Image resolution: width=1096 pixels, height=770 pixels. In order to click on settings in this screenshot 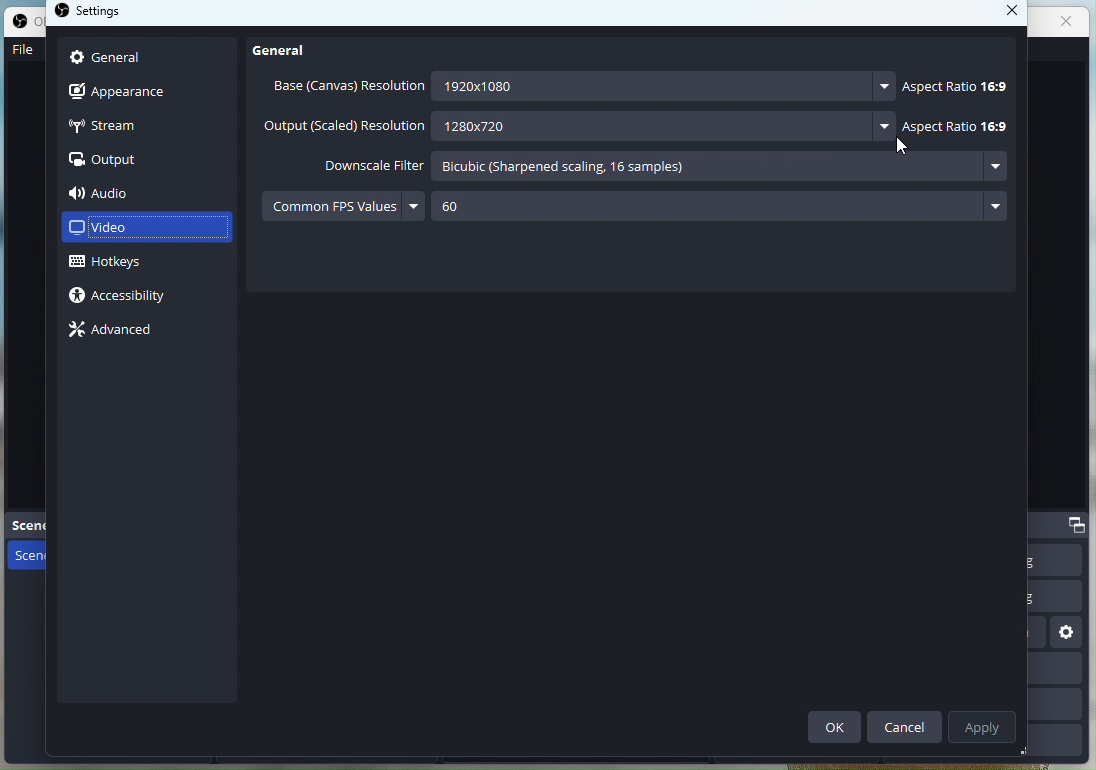, I will do `click(108, 14)`.